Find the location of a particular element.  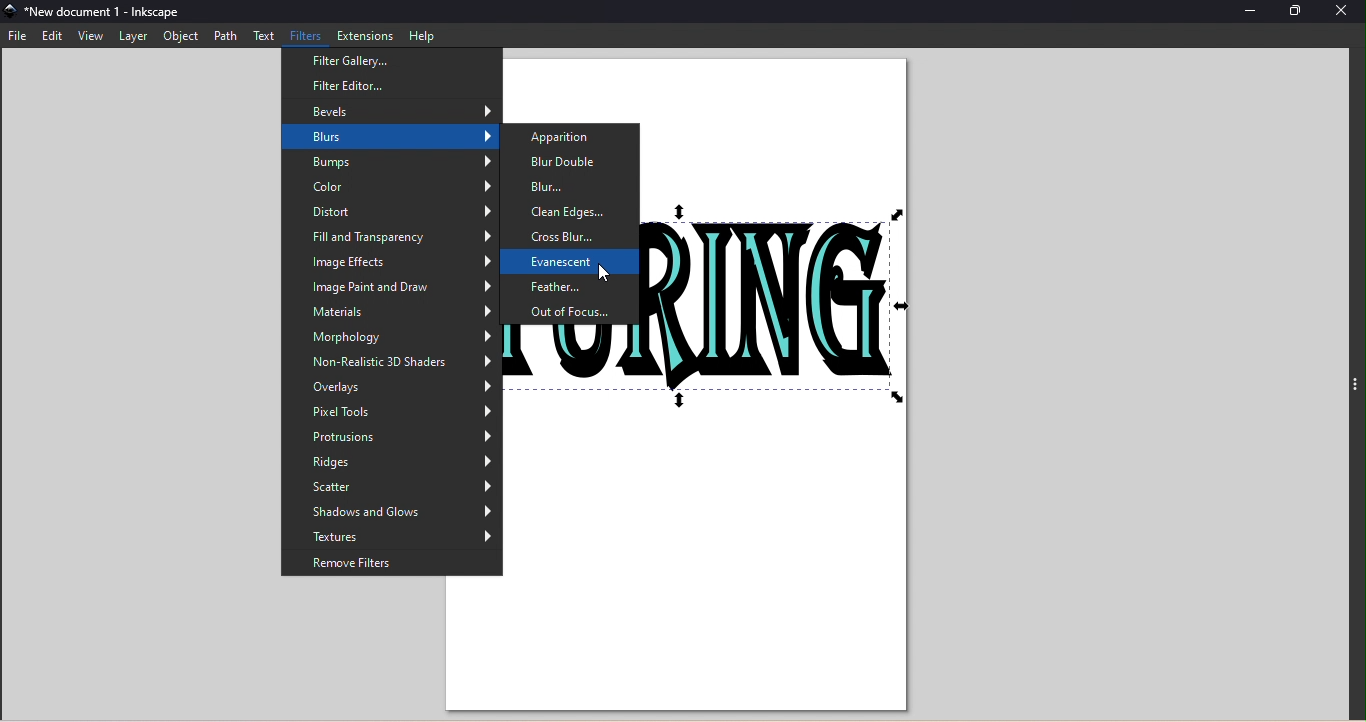

Object is located at coordinates (181, 36).